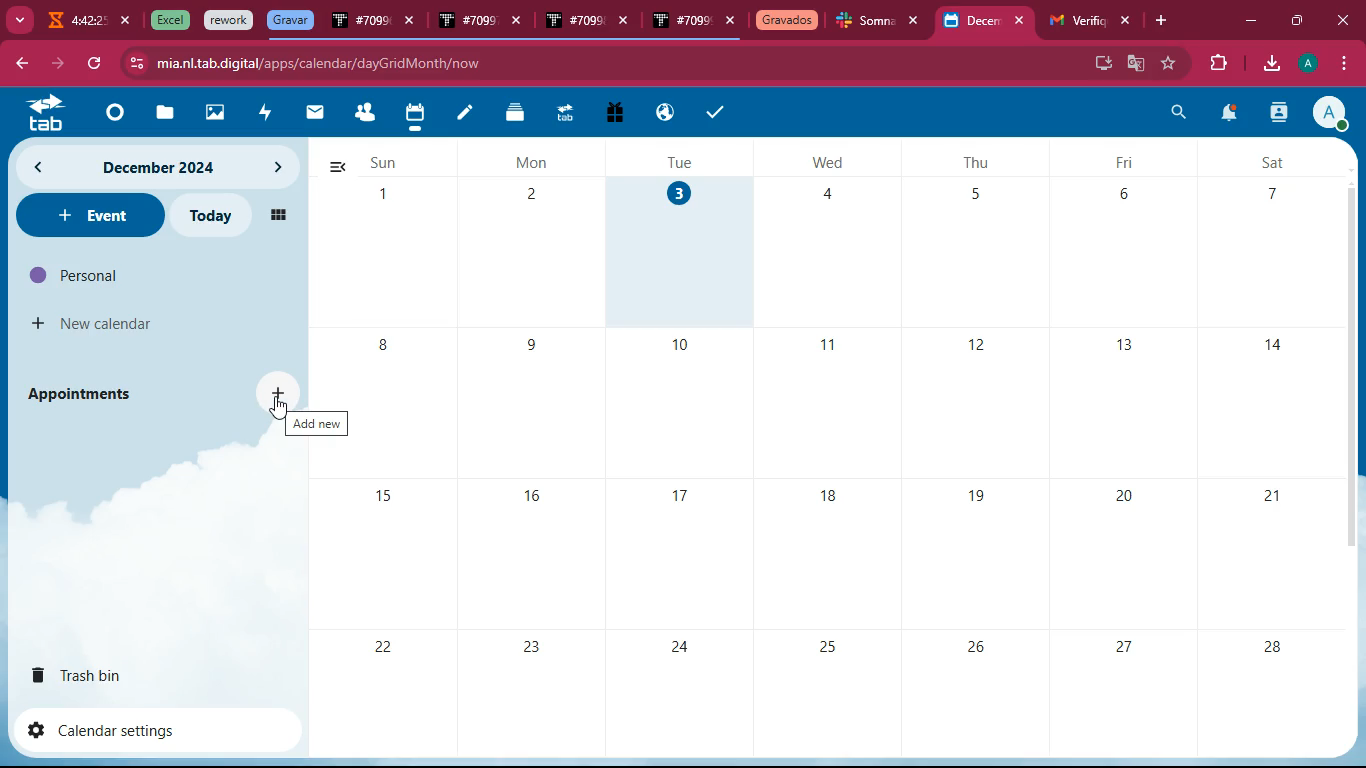  What do you see at coordinates (1295, 18) in the screenshot?
I see `maximize` at bounding box center [1295, 18].